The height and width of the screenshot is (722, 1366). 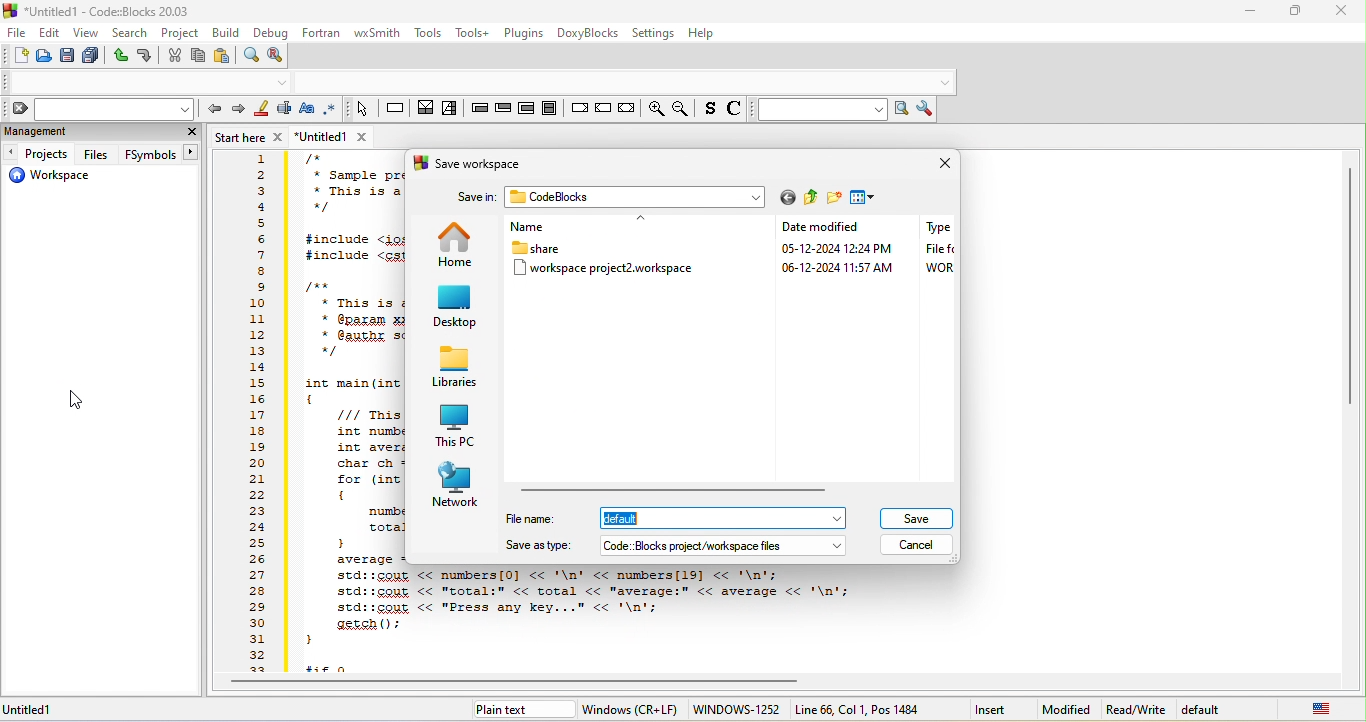 What do you see at coordinates (472, 166) in the screenshot?
I see `save workspace` at bounding box center [472, 166].